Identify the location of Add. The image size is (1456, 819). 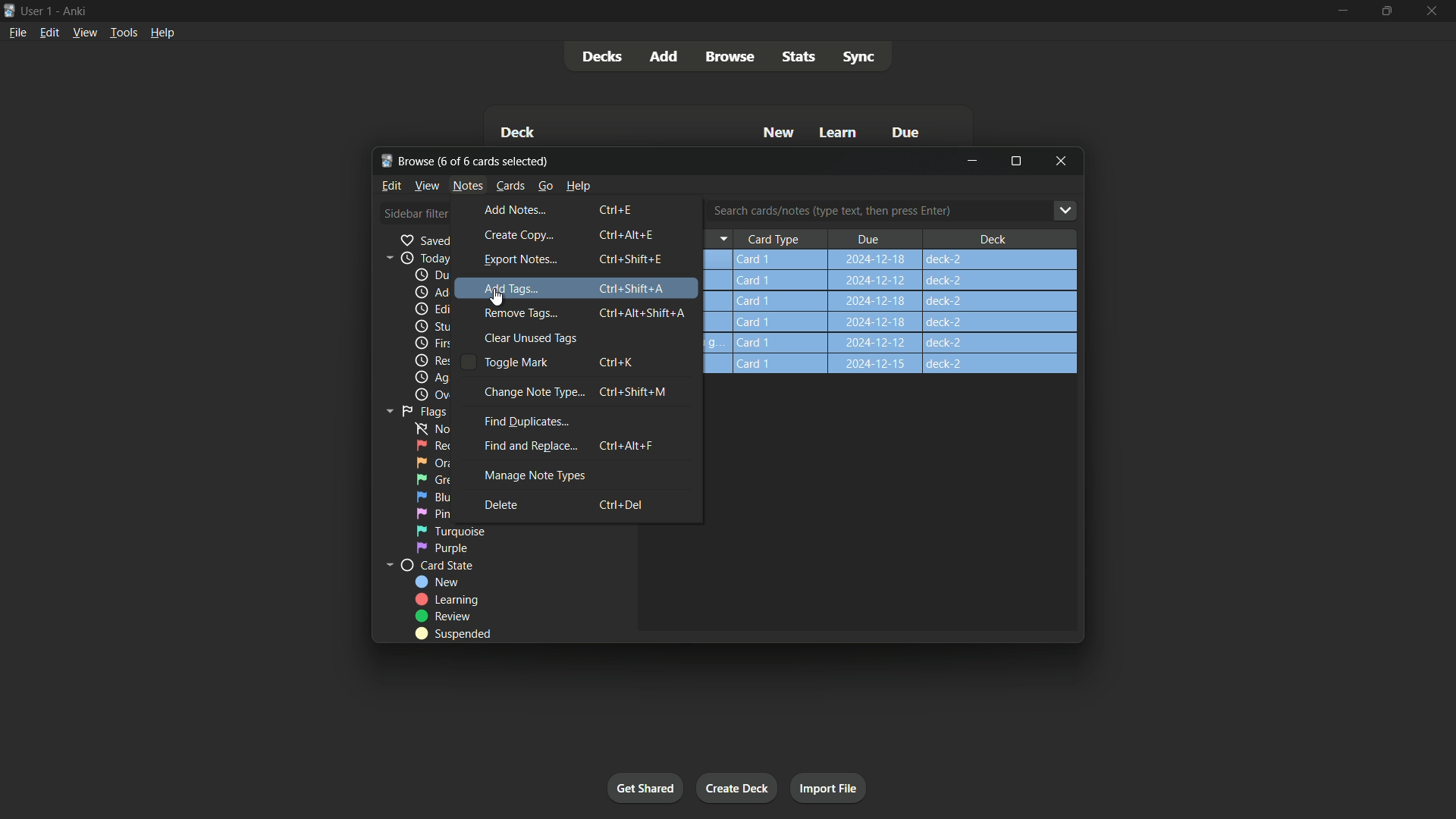
(666, 57).